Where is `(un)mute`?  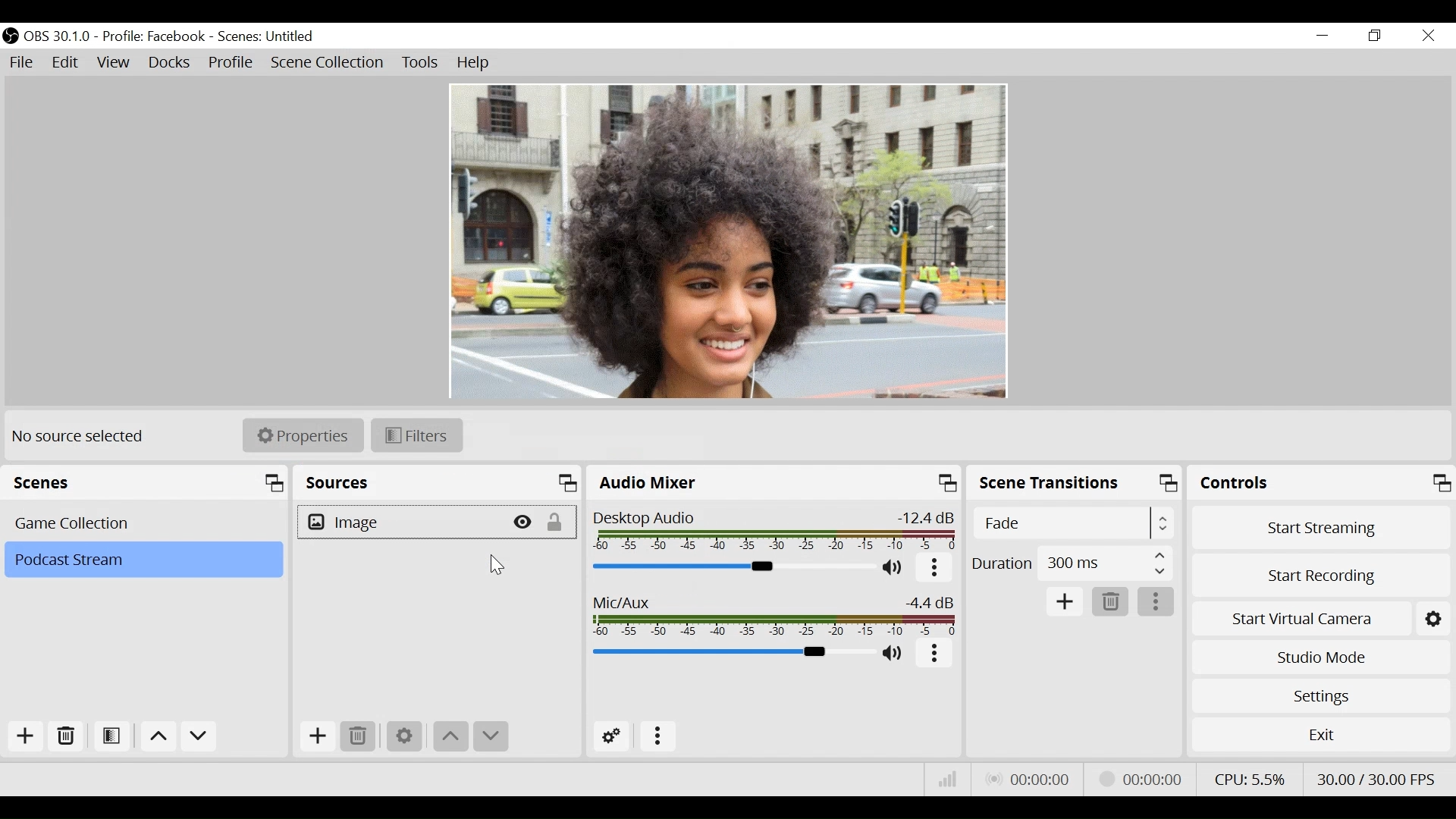 (un)mute is located at coordinates (895, 654).